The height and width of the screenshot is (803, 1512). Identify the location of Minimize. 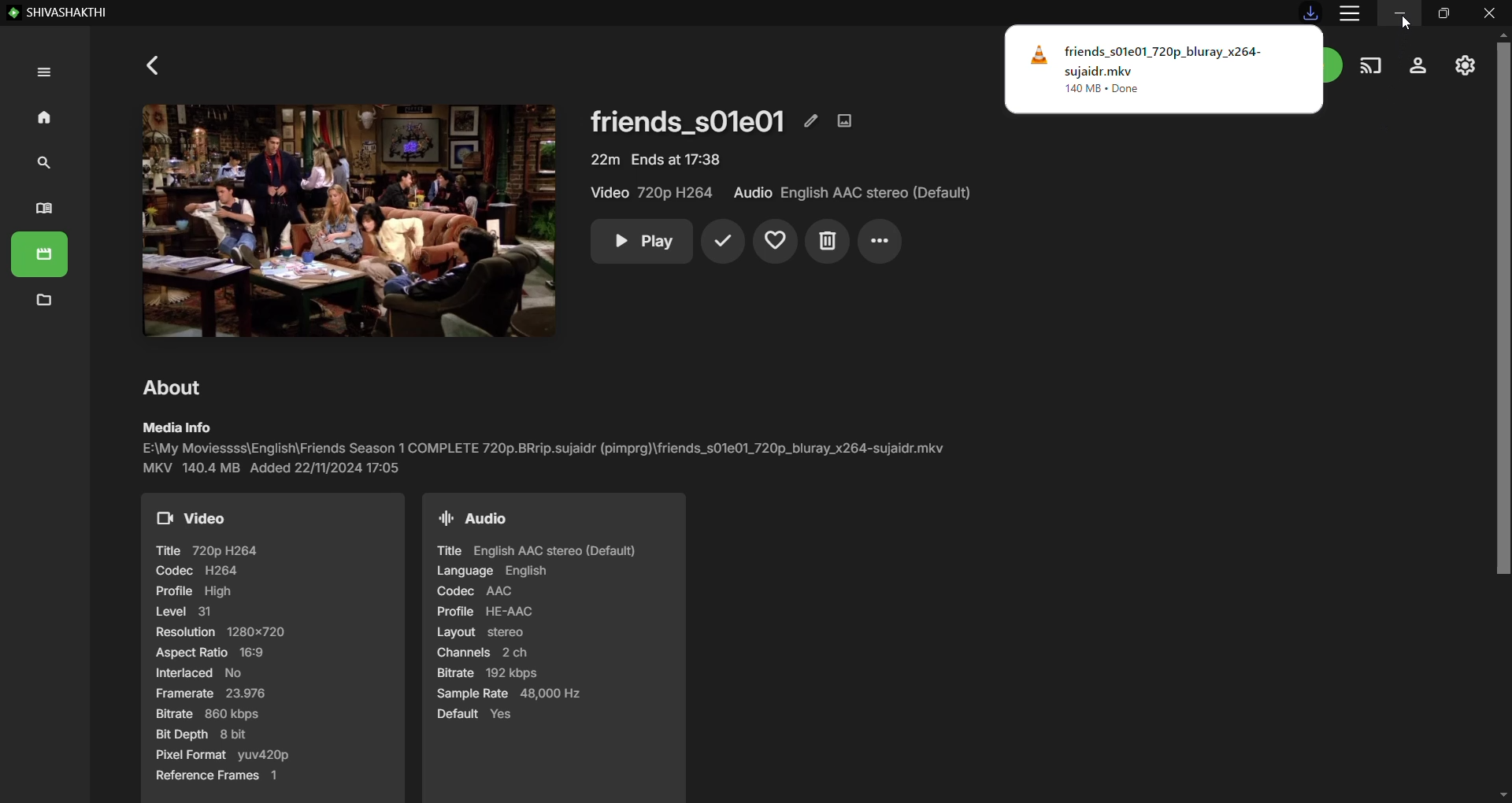
(1400, 13).